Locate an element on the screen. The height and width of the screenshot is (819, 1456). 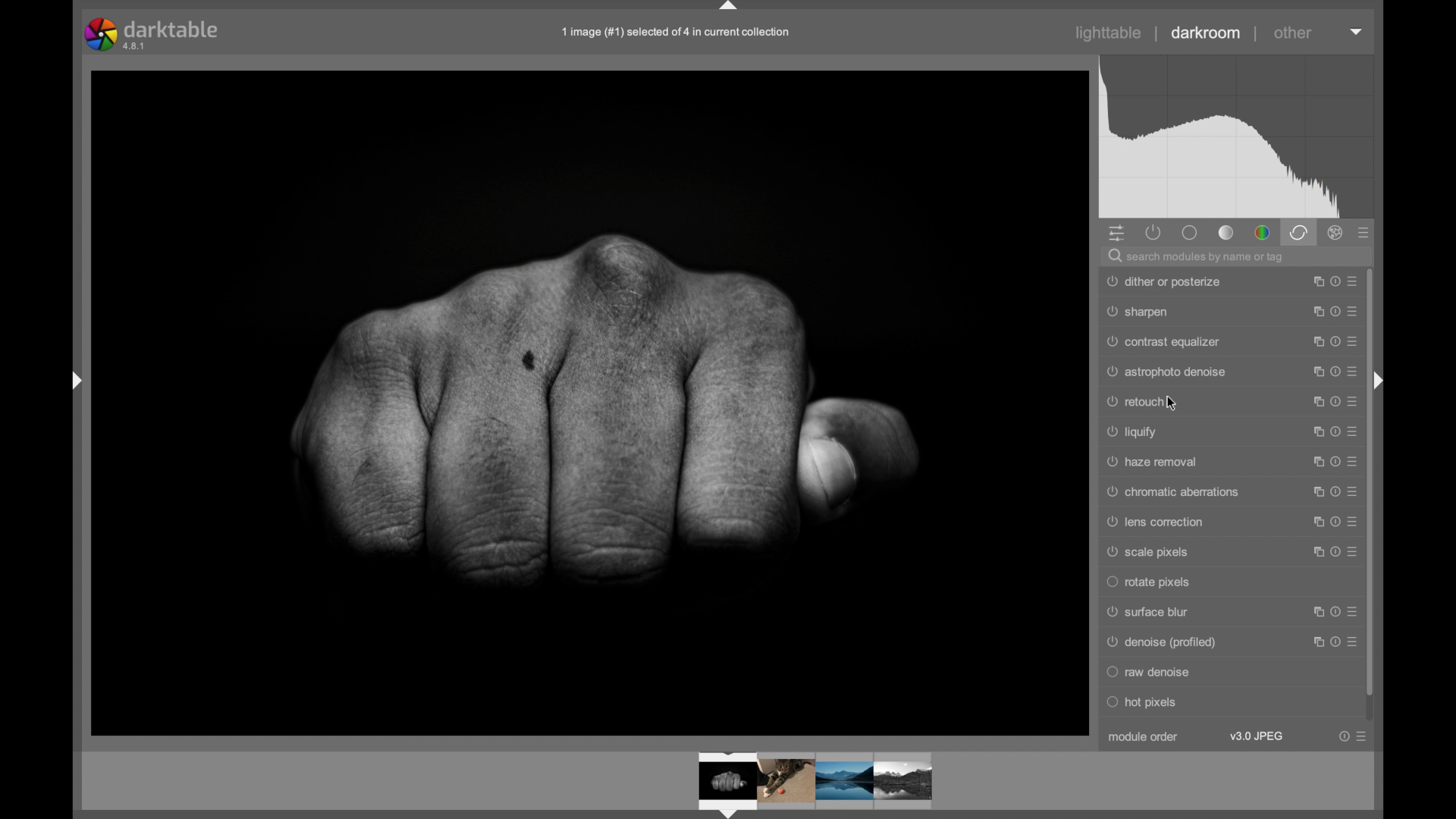
raw  denoise is located at coordinates (1150, 672).